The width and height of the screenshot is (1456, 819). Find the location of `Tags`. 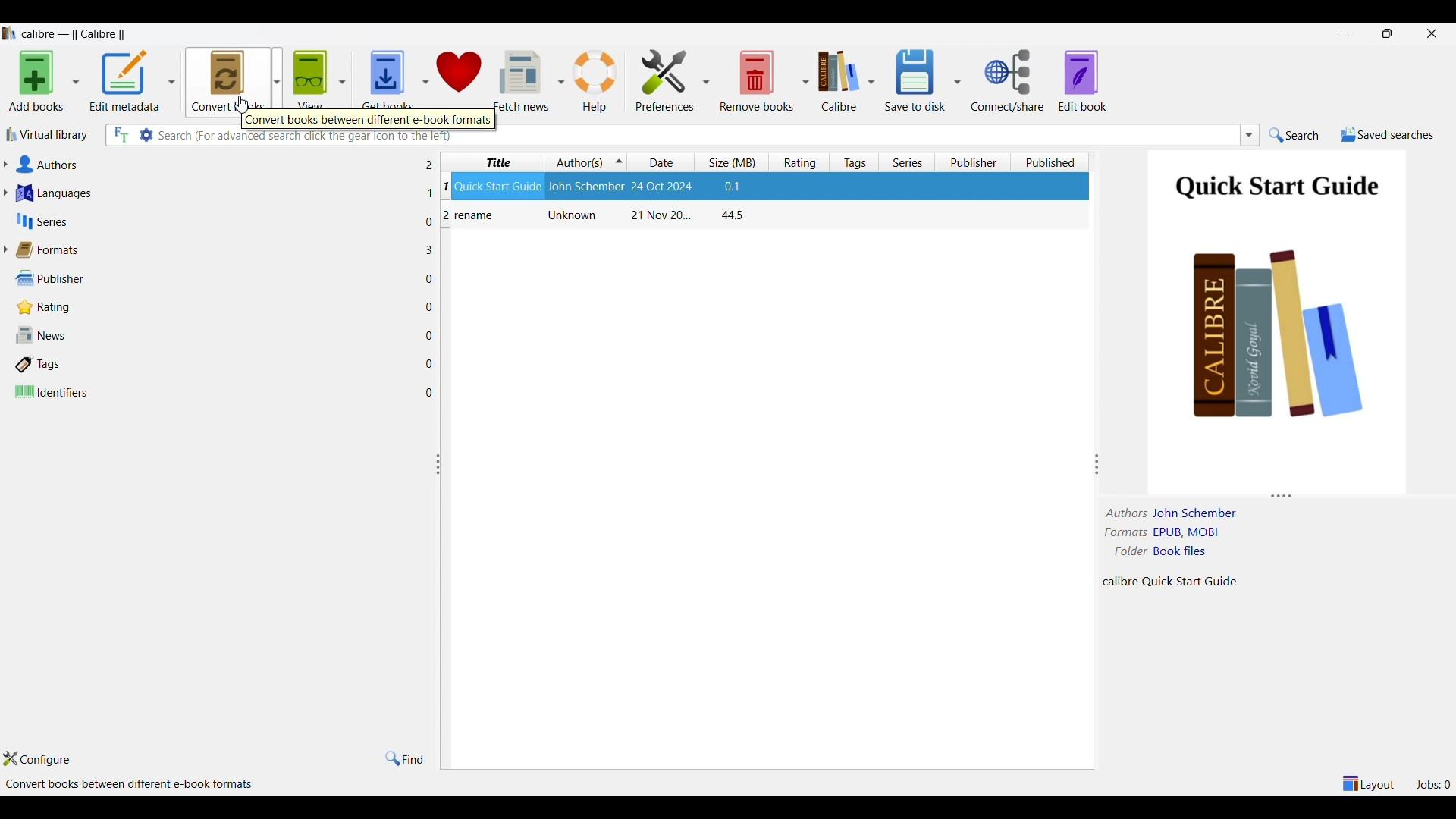

Tags is located at coordinates (213, 365).